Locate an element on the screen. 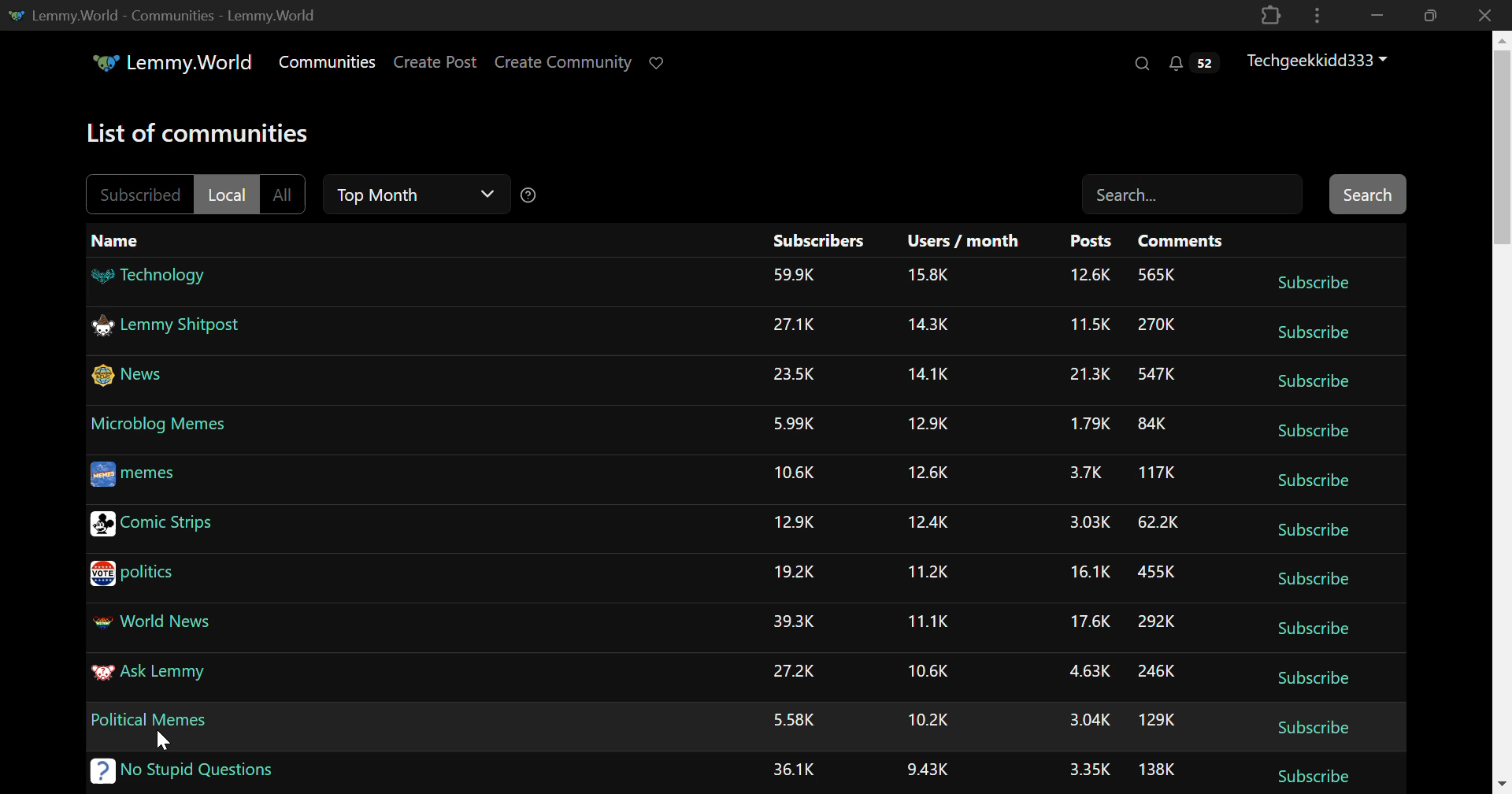  Amount is located at coordinates (1158, 372).